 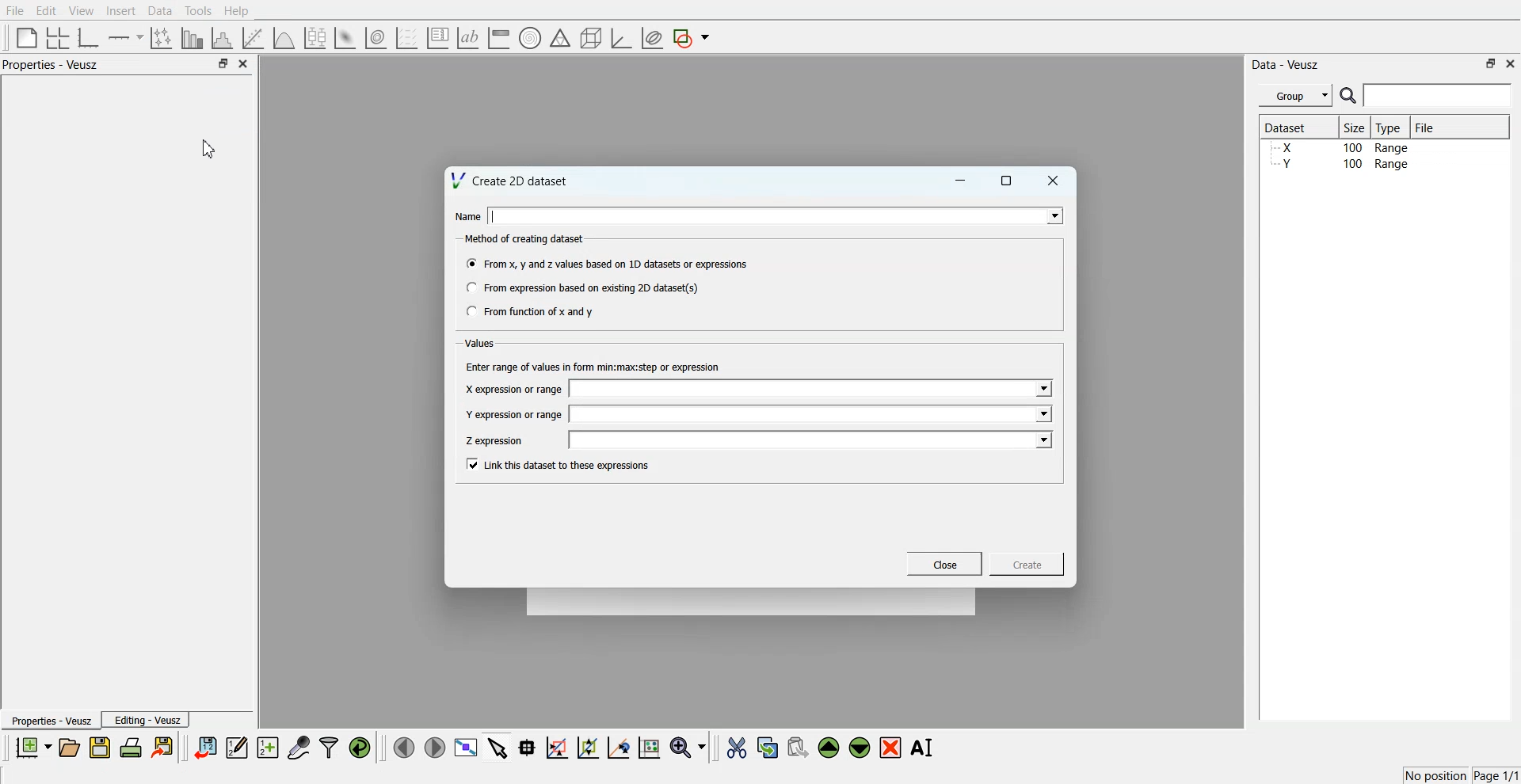 What do you see at coordinates (691, 38) in the screenshot?
I see `Add shape to the plot` at bounding box center [691, 38].